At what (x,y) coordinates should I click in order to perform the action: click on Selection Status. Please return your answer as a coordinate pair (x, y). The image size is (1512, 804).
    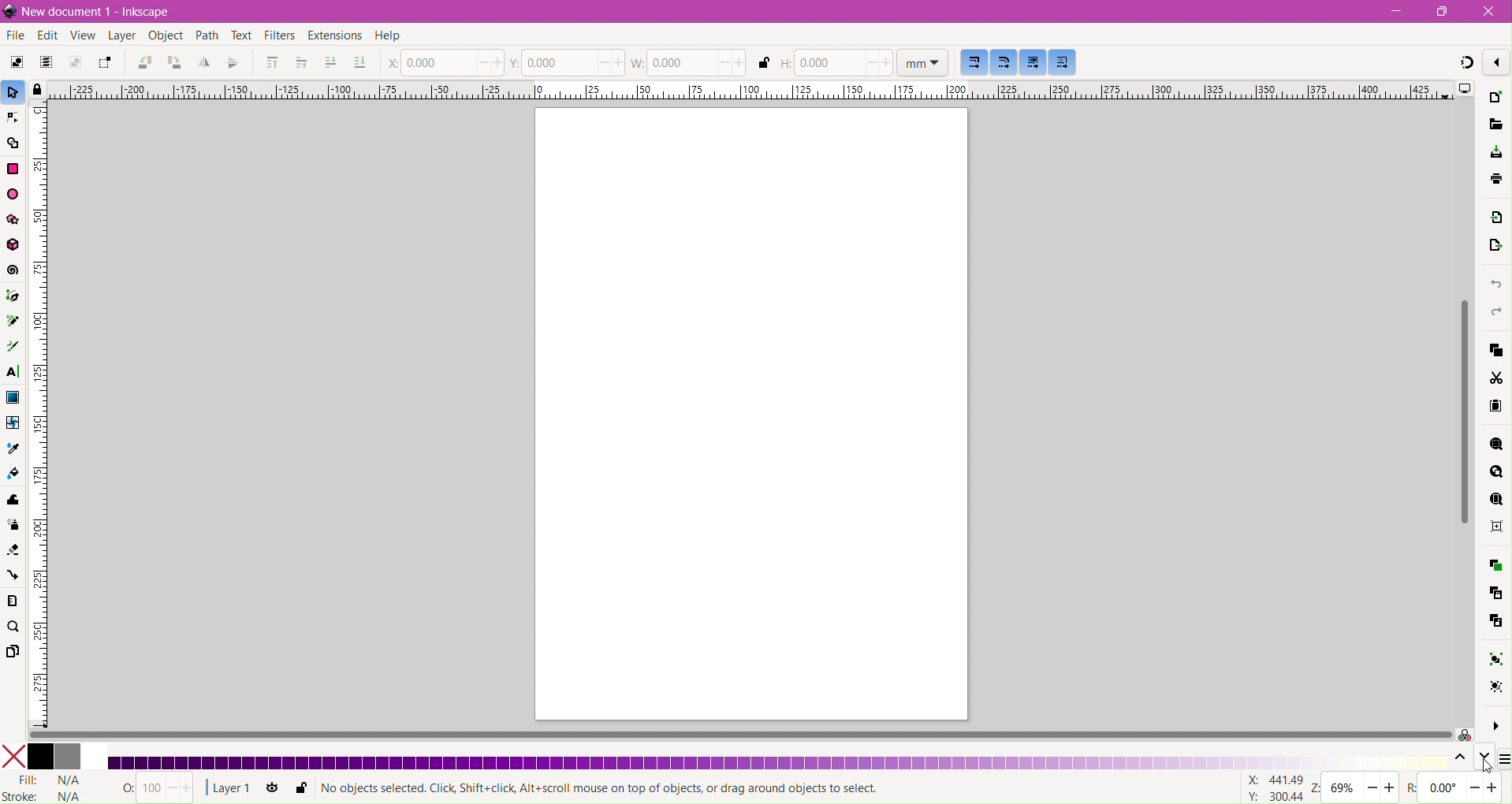
    Looking at the image, I should click on (604, 789).